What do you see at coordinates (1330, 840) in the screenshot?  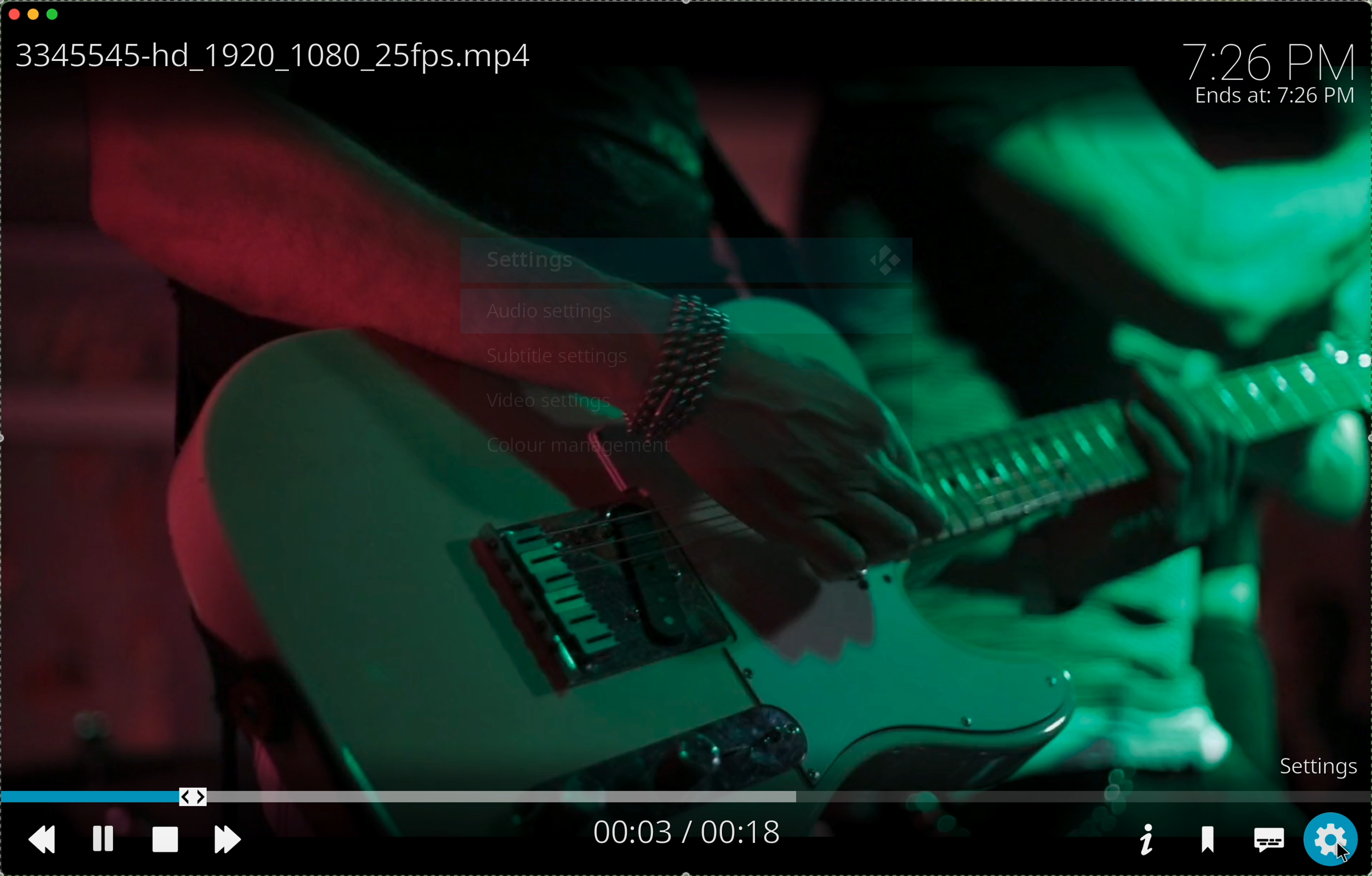 I see `click on settings` at bounding box center [1330, 840].